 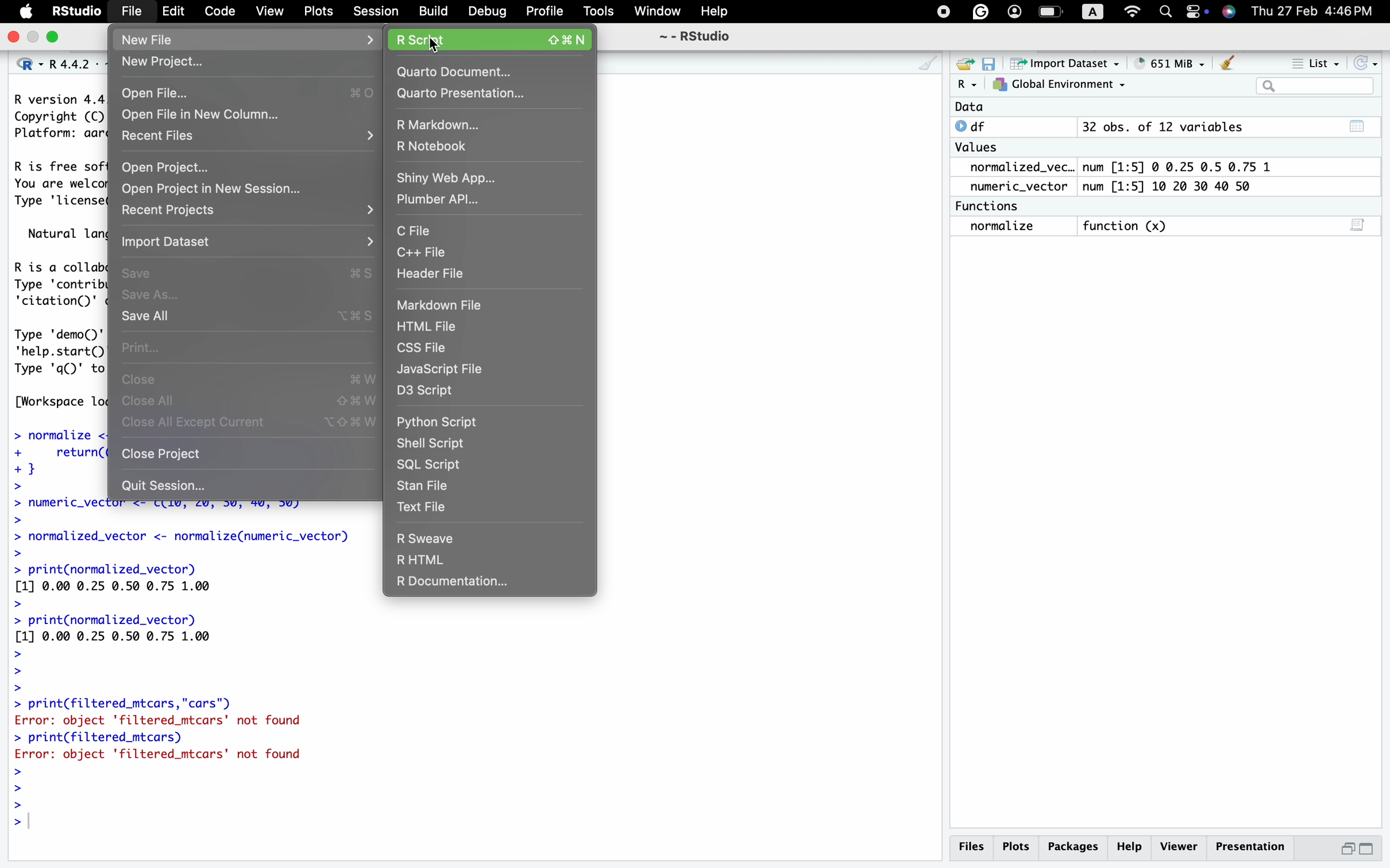 What do you see at coordinates (991, 61) in the screenshot?
I see `save` at bounding box center [991, 61].